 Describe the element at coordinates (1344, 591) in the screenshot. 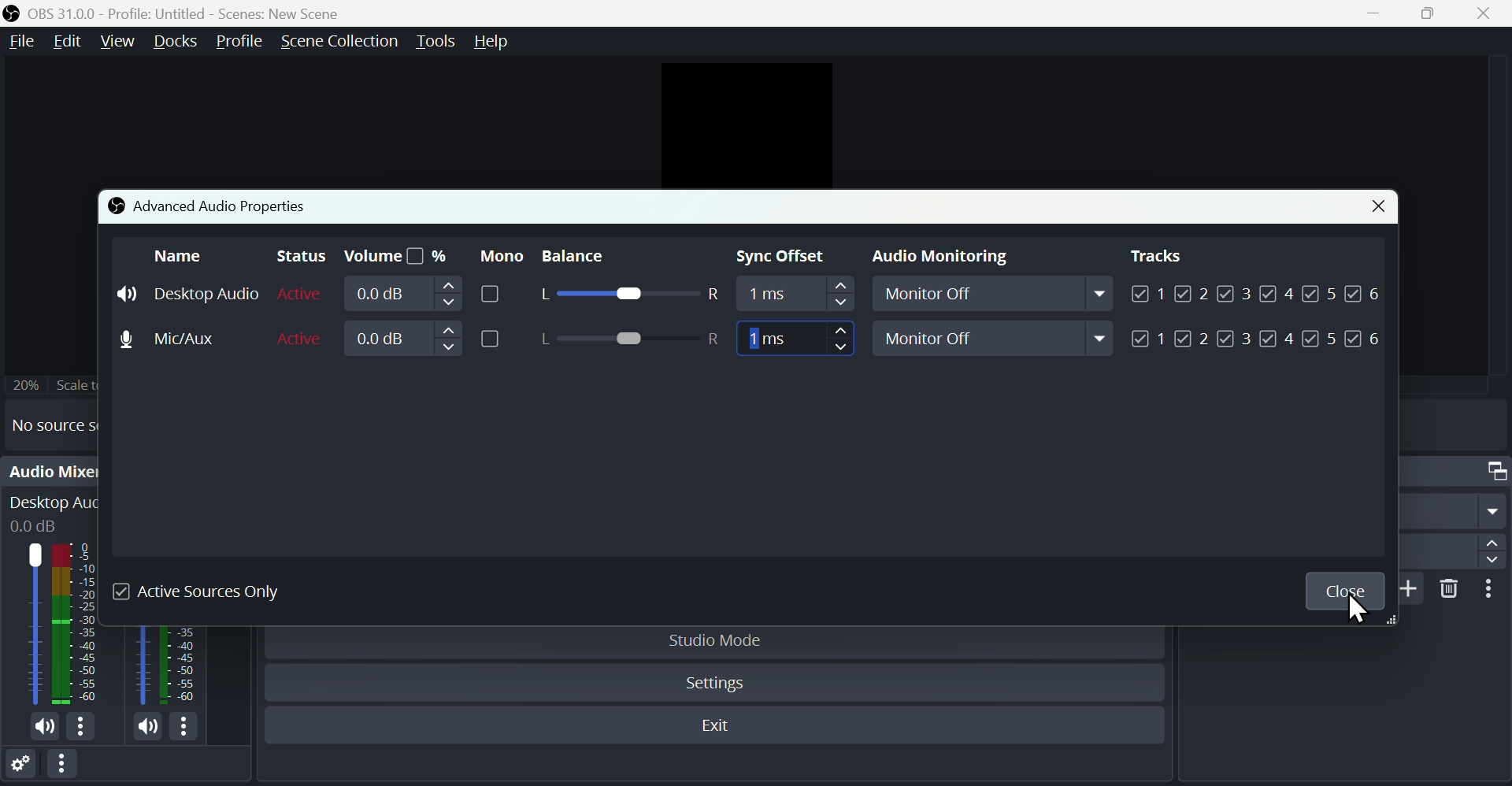

I see `Close` at that location.